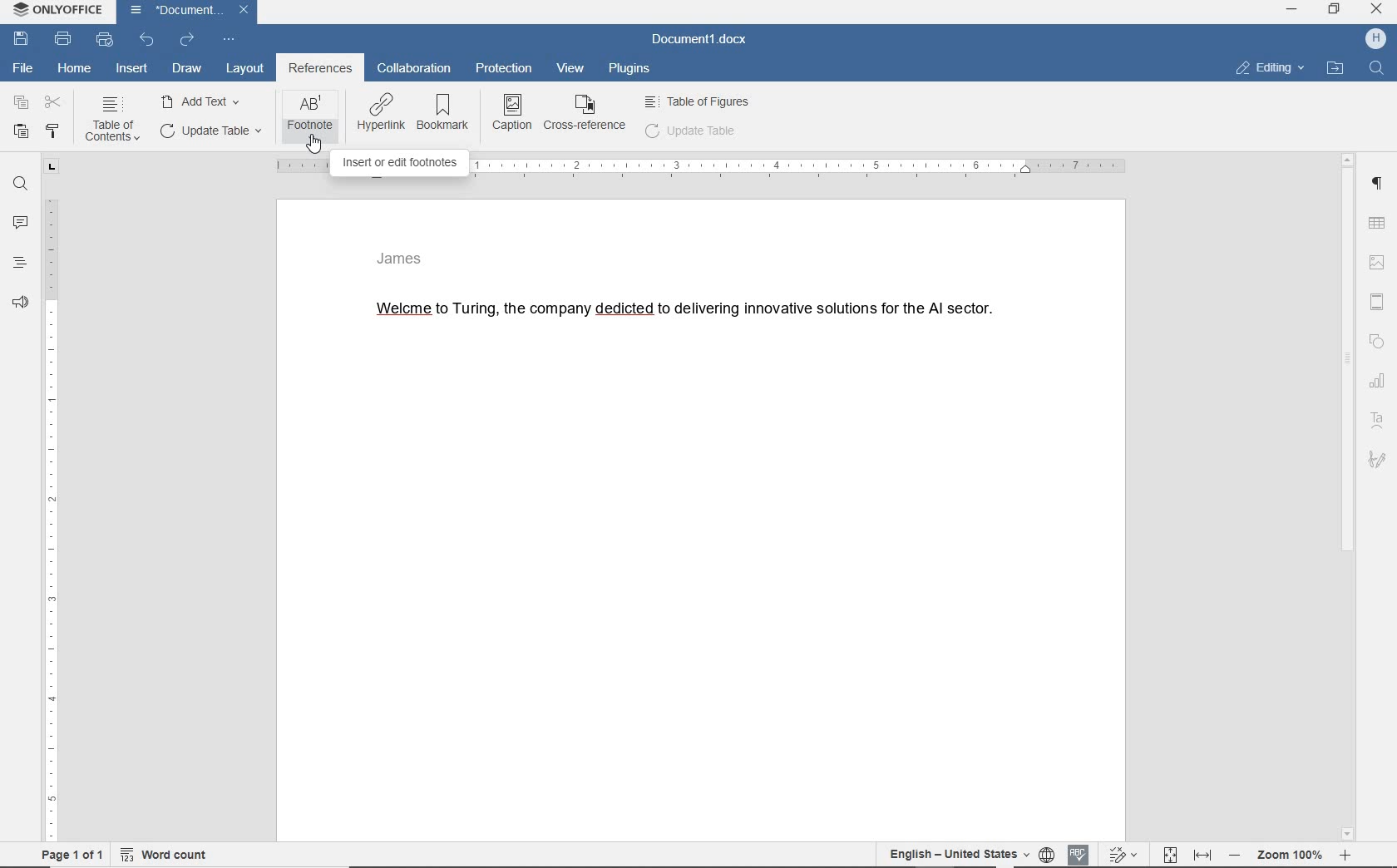  Describe the element at coordinates (1380, 299) in the screenshot. I see `HEADER & FOOTERS` at that location.